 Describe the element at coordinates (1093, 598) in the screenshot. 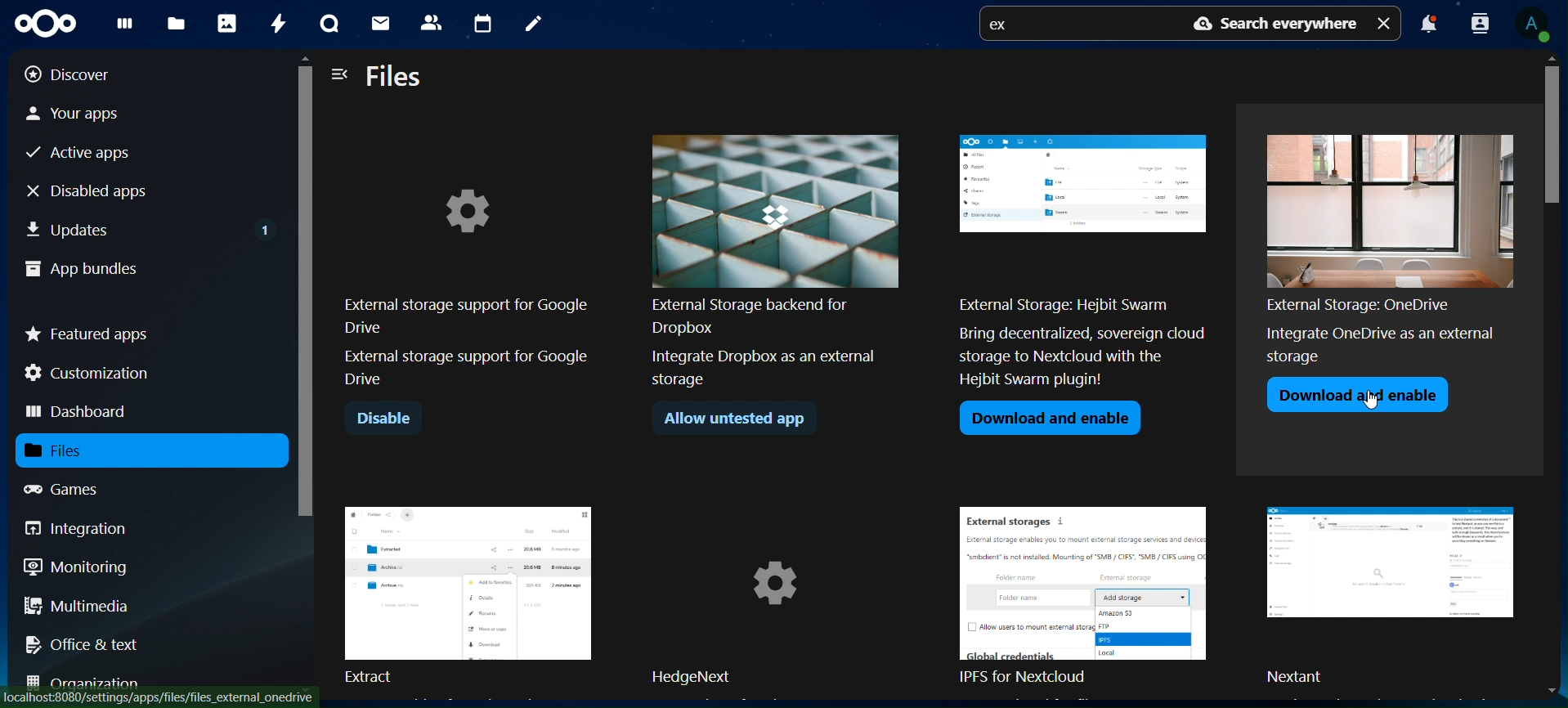

I see `IPFS for nextcloud` at that location.